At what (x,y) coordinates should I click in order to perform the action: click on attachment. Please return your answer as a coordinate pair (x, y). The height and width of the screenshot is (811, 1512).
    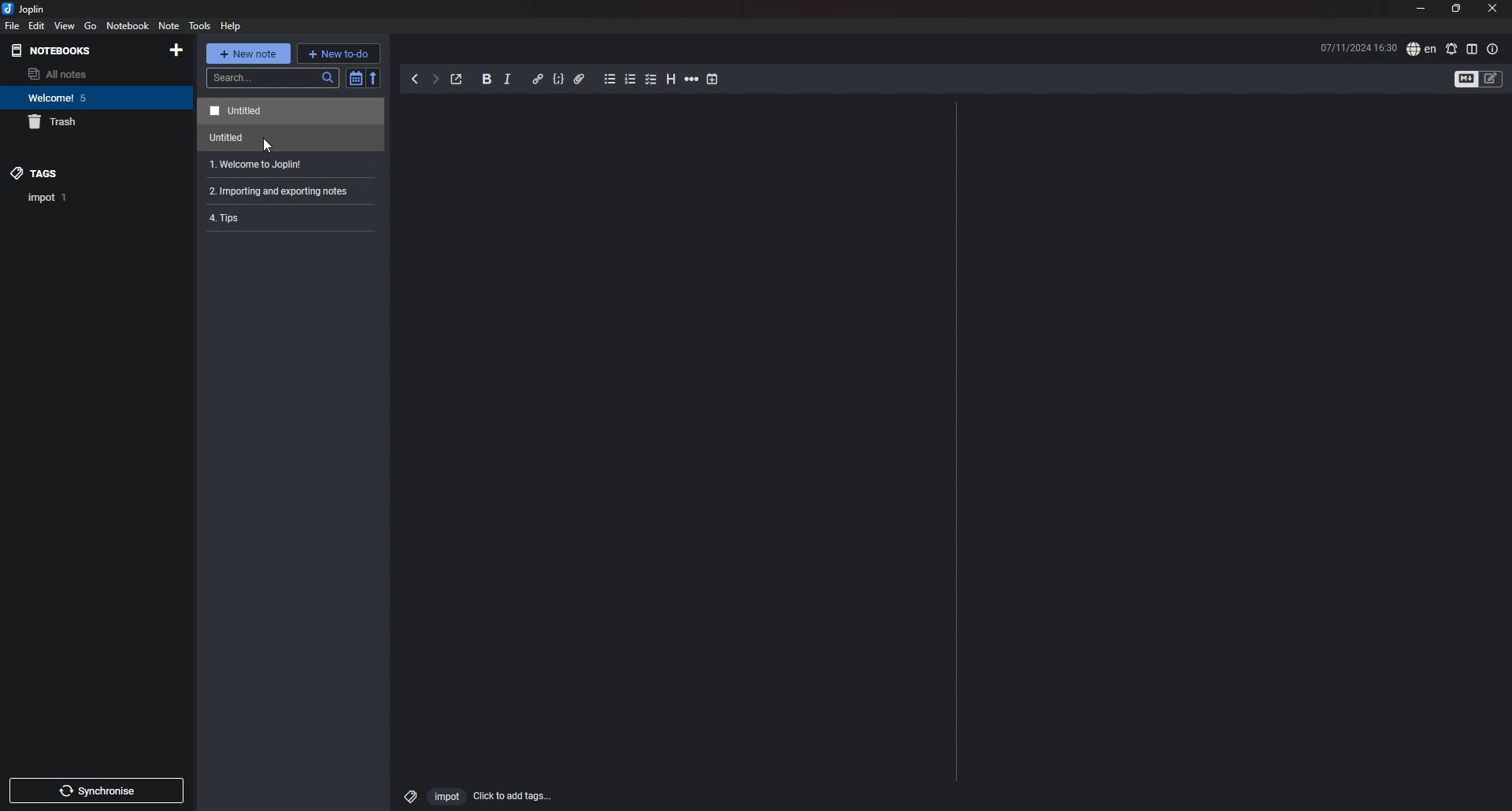
    Looking at the image, I should click on (580, 79).